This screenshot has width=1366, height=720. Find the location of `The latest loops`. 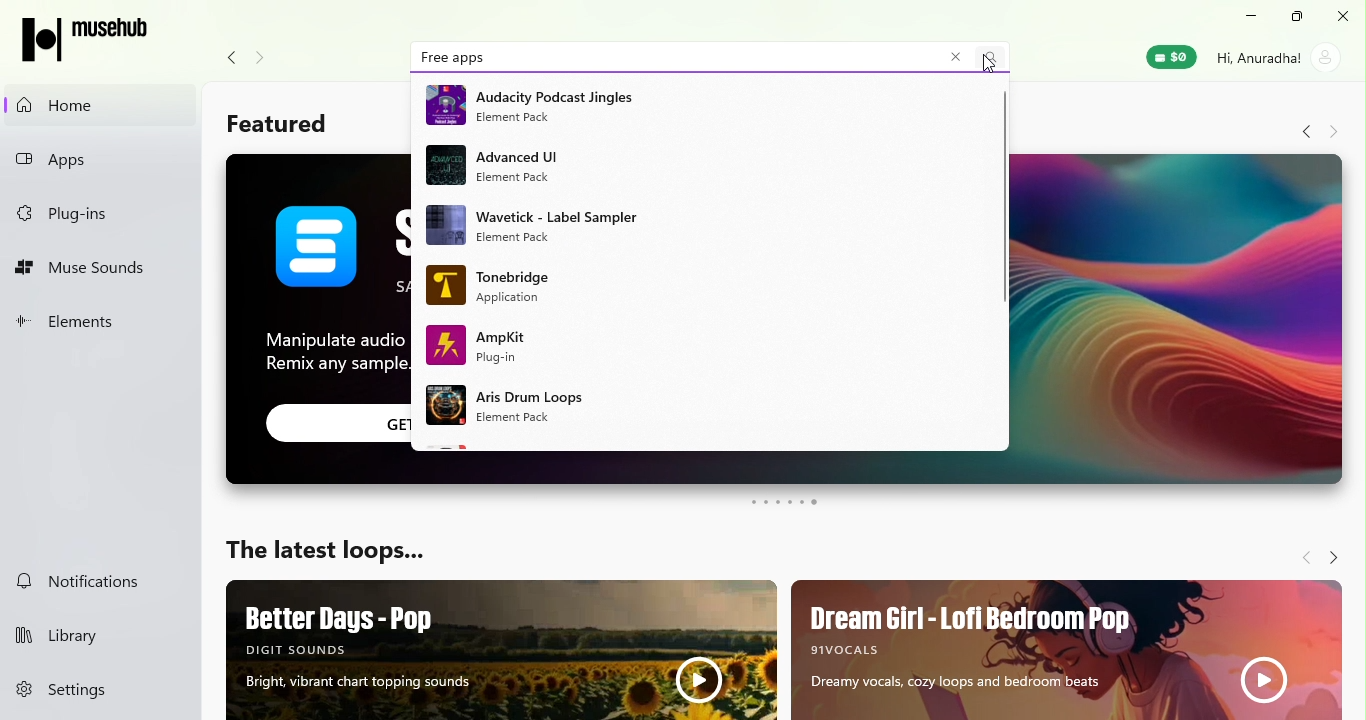

The latest loops is located at coordinates (326, 554).